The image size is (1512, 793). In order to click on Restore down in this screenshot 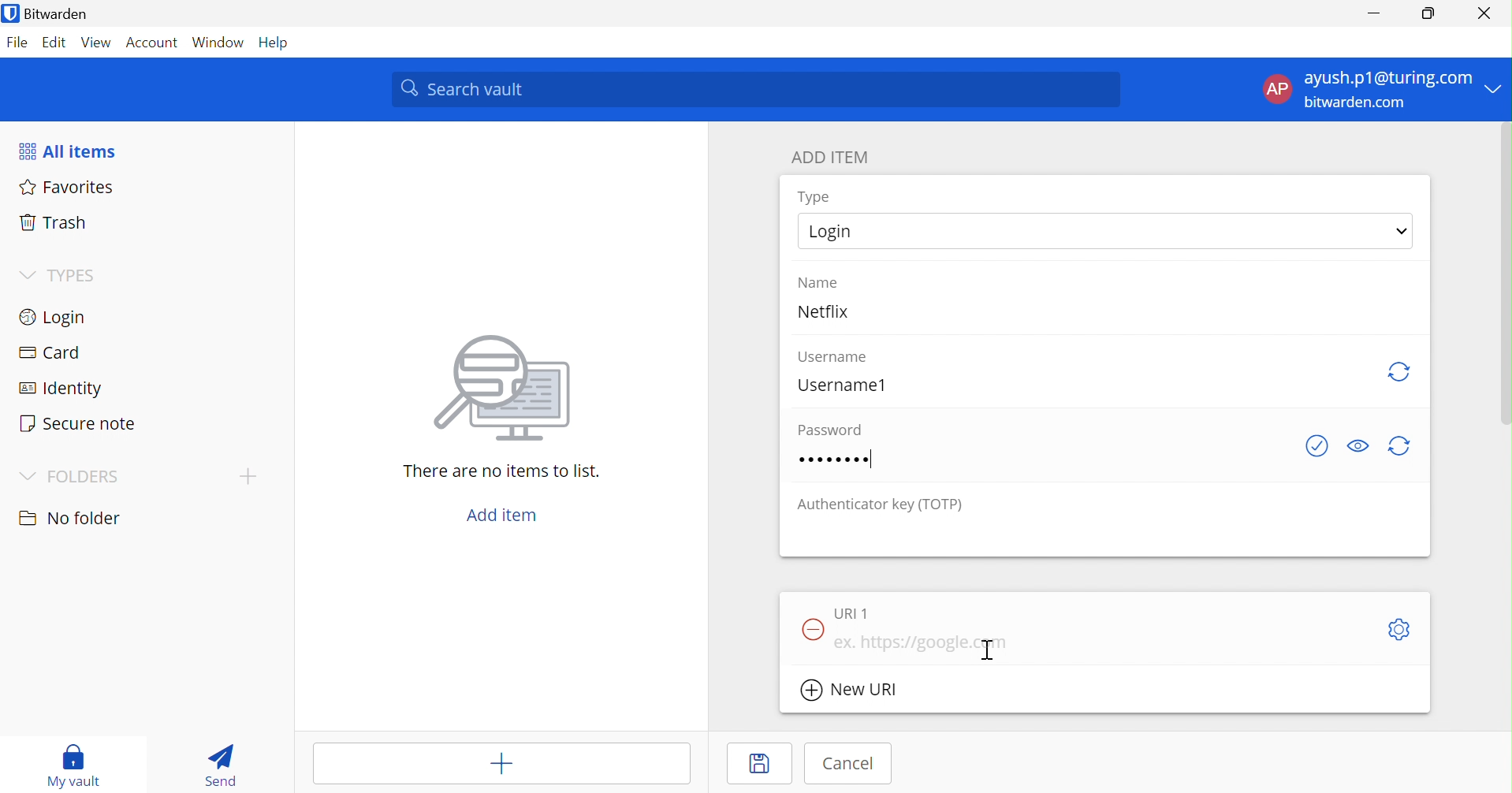, I will do `click(1431, 14)`.